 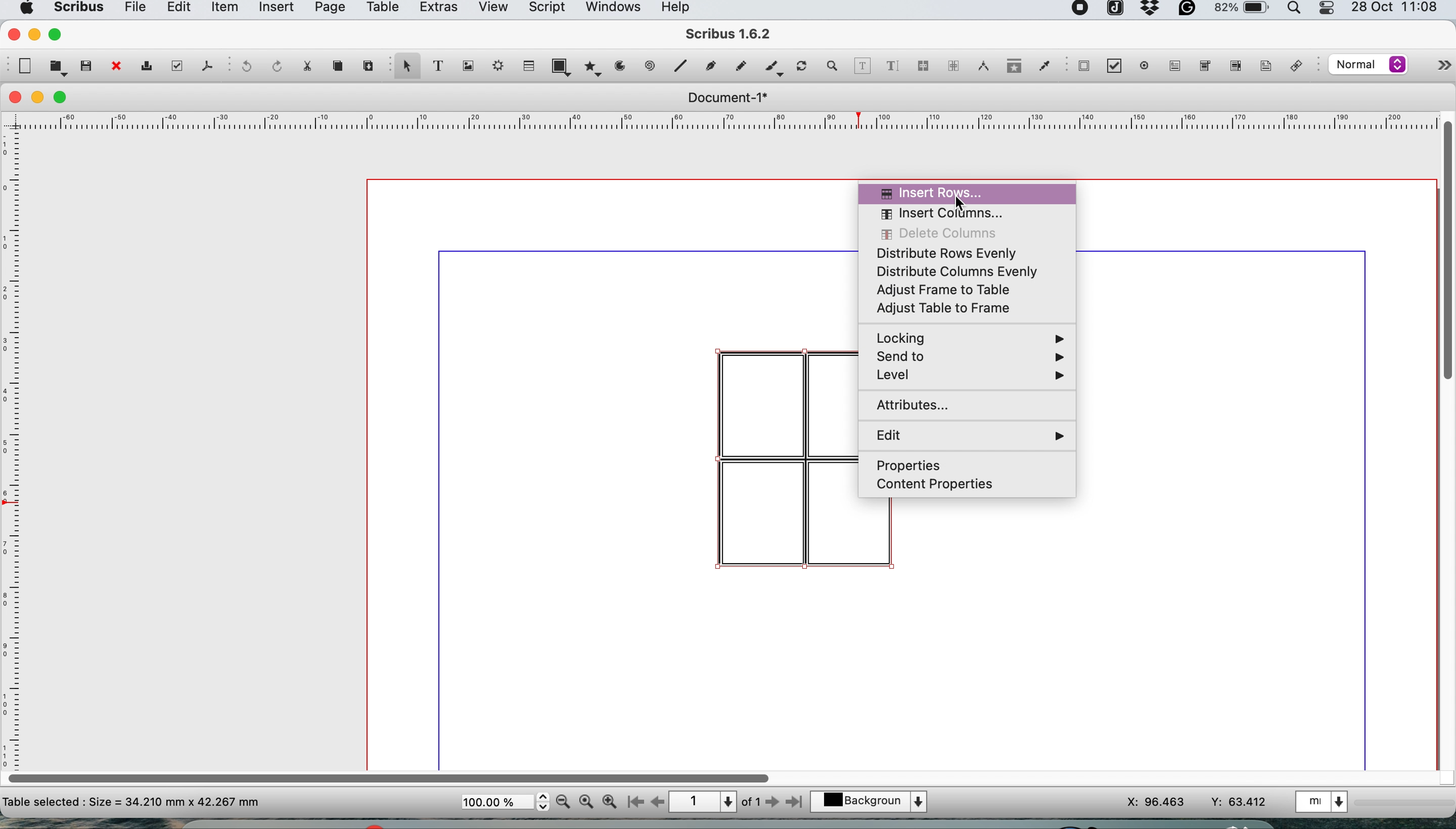 What do you see at coordinates (328, 10) in the screenshot?
I see `page` at bounding box center [328, 10].